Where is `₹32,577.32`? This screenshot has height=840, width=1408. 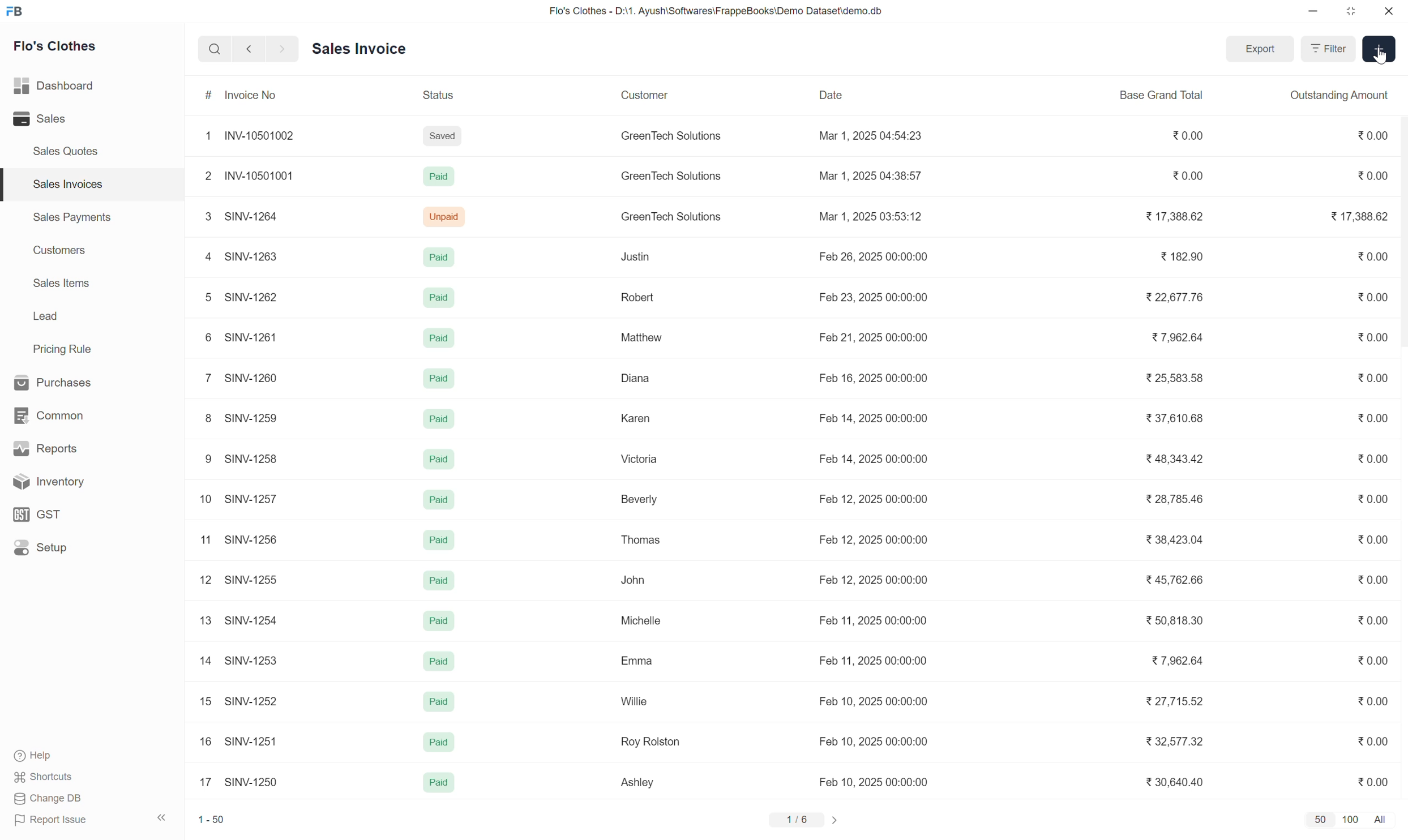 ₹32,577.32 is located at coordinates (1170, 745).